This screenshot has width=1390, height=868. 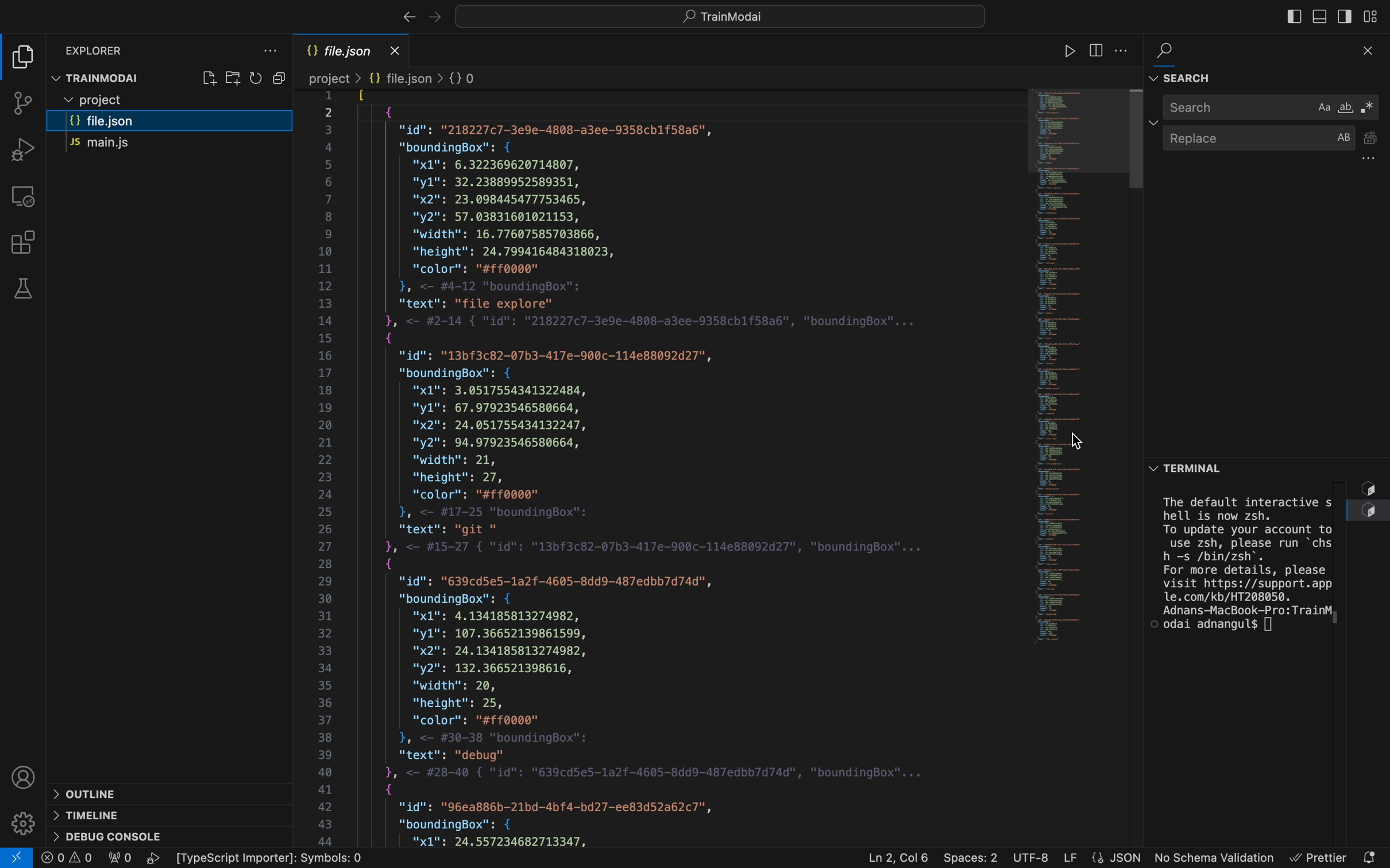 What do you see at coordinates (233, 76) in the screenshot?
I see `create folder` at bounding box center [233, 76].